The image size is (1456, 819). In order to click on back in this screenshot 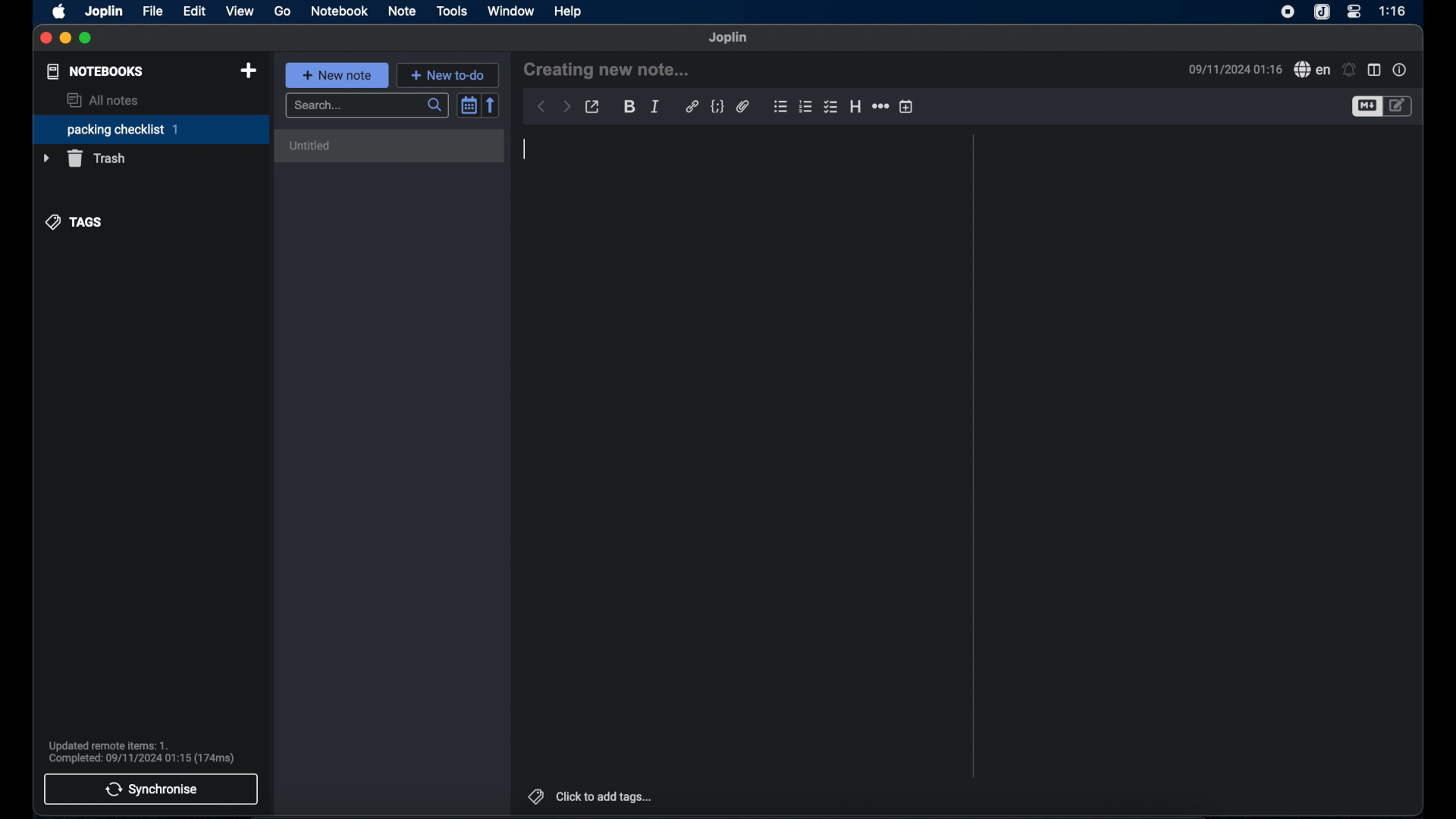, I will do `click(541, 107)`.